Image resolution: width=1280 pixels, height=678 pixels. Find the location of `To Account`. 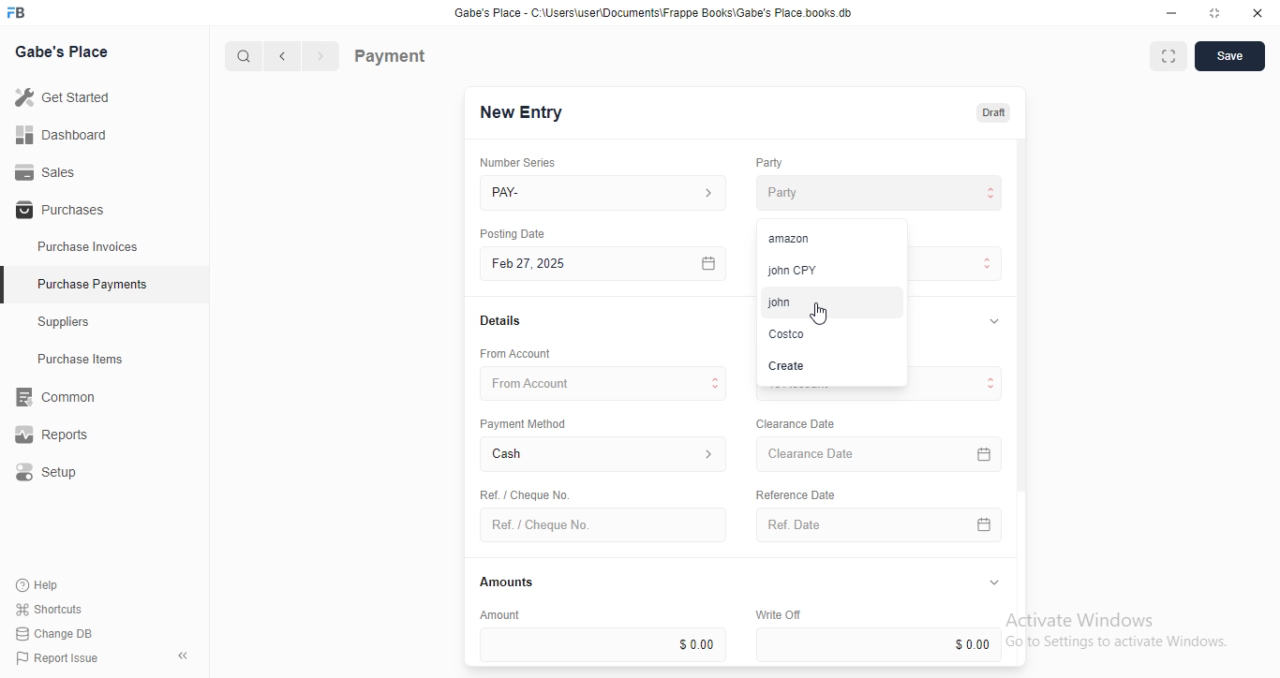

To Account is located at coordinates (957, 383).